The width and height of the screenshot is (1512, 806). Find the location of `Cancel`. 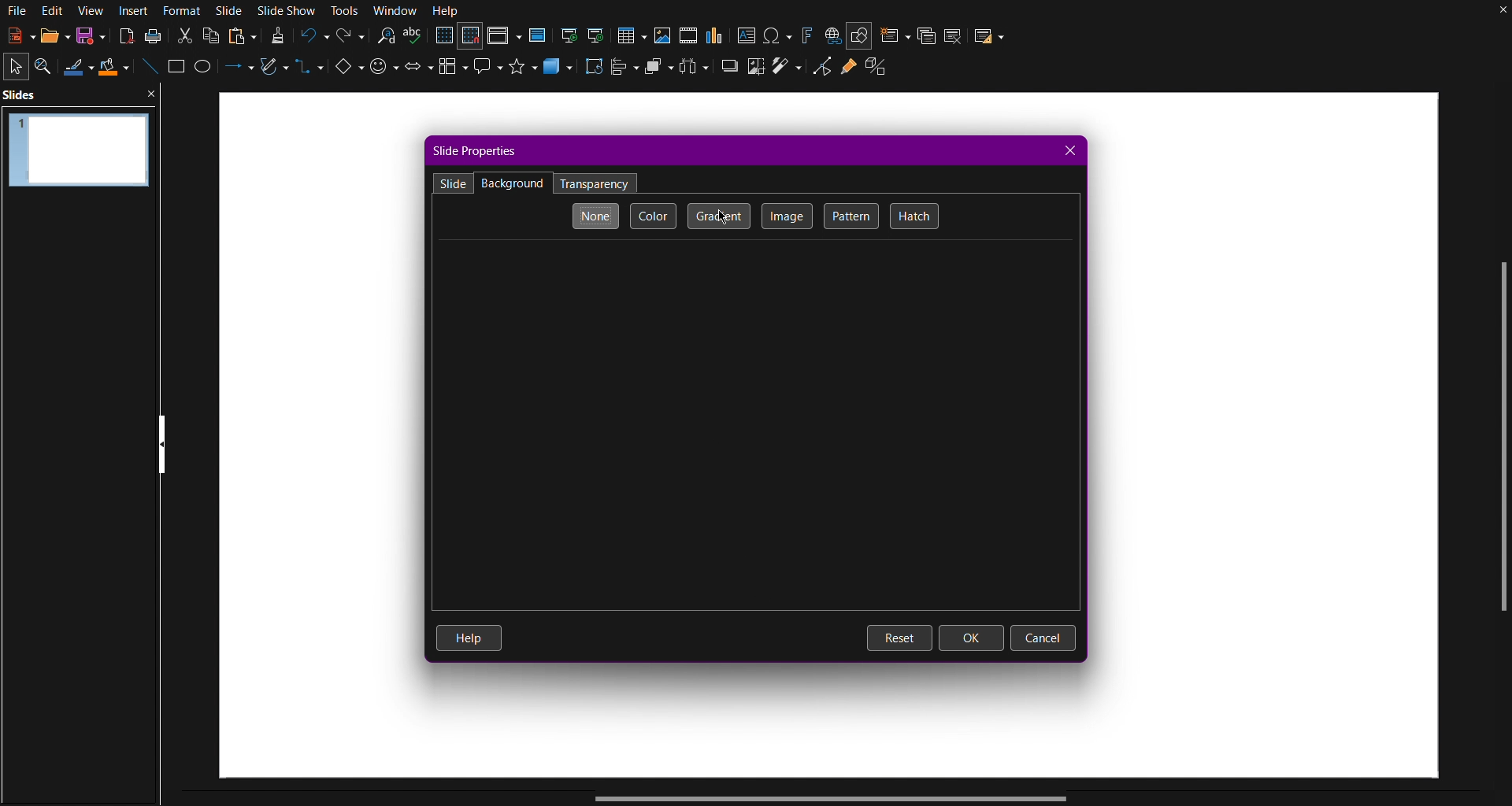

Cancel is located at coordinates (1043, 638).